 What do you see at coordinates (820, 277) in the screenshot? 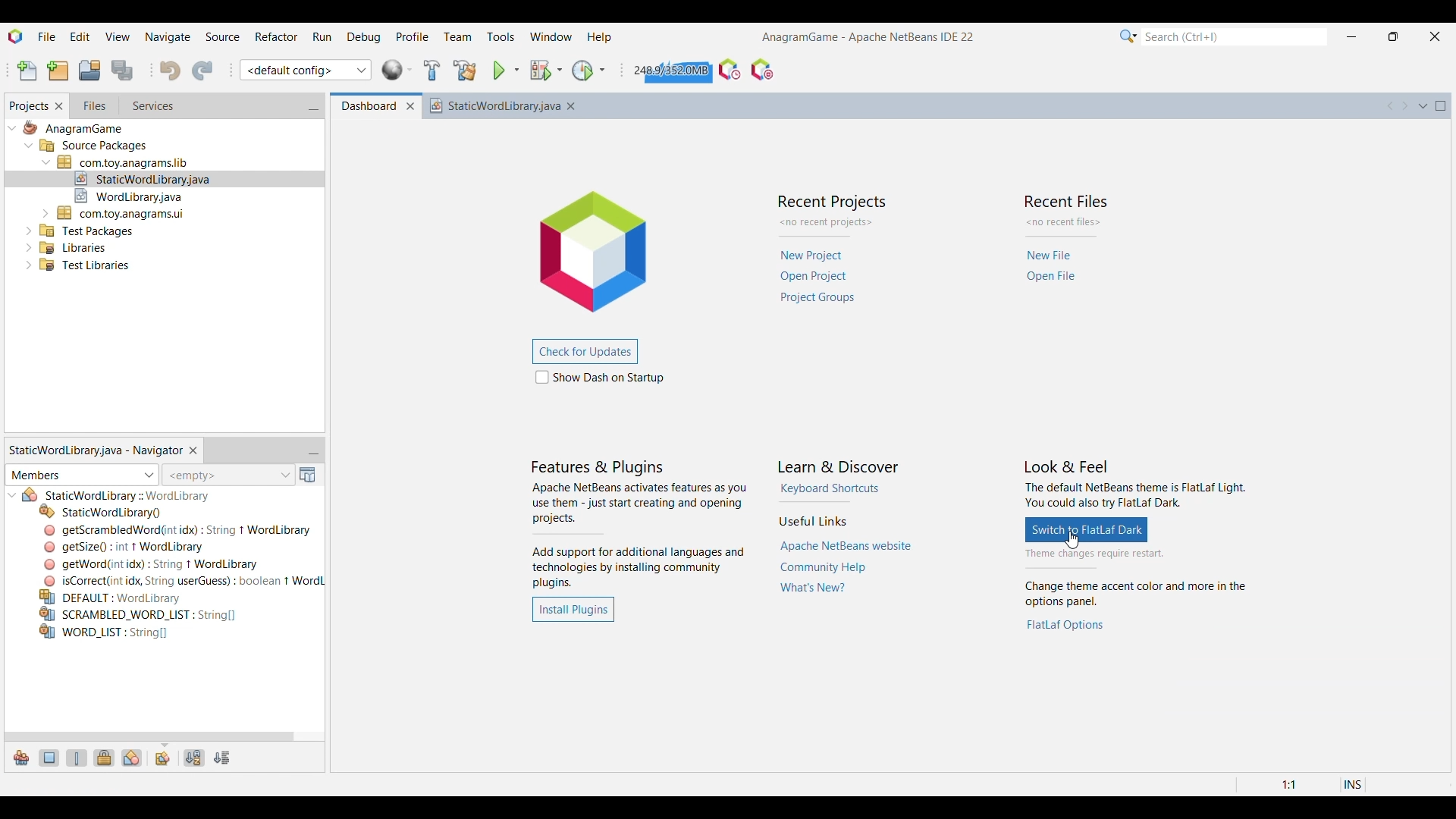
I see `Recent projects` at bounding box center [820, 277].